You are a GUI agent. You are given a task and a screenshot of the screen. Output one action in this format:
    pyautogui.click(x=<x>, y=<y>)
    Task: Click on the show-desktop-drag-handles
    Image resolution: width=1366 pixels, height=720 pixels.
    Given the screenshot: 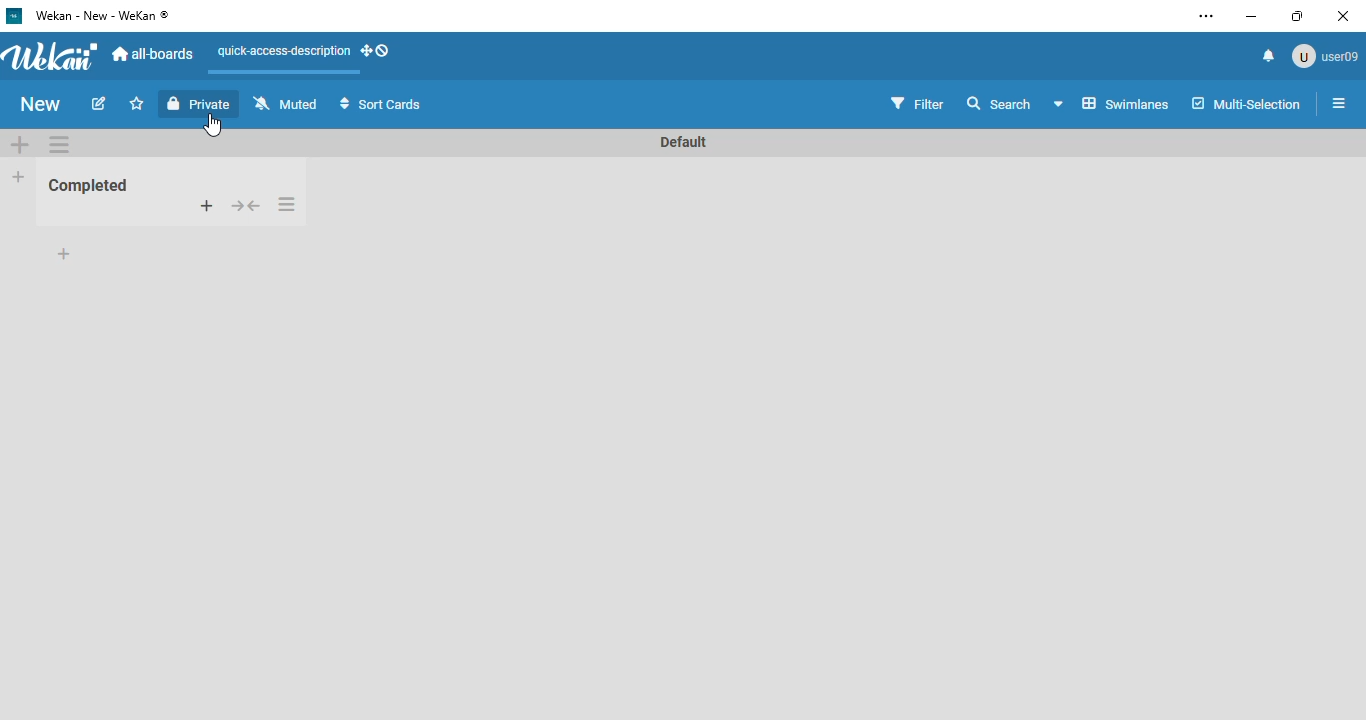 What is the action you would take?
    pyautogui.click(x=375, y=50)
    